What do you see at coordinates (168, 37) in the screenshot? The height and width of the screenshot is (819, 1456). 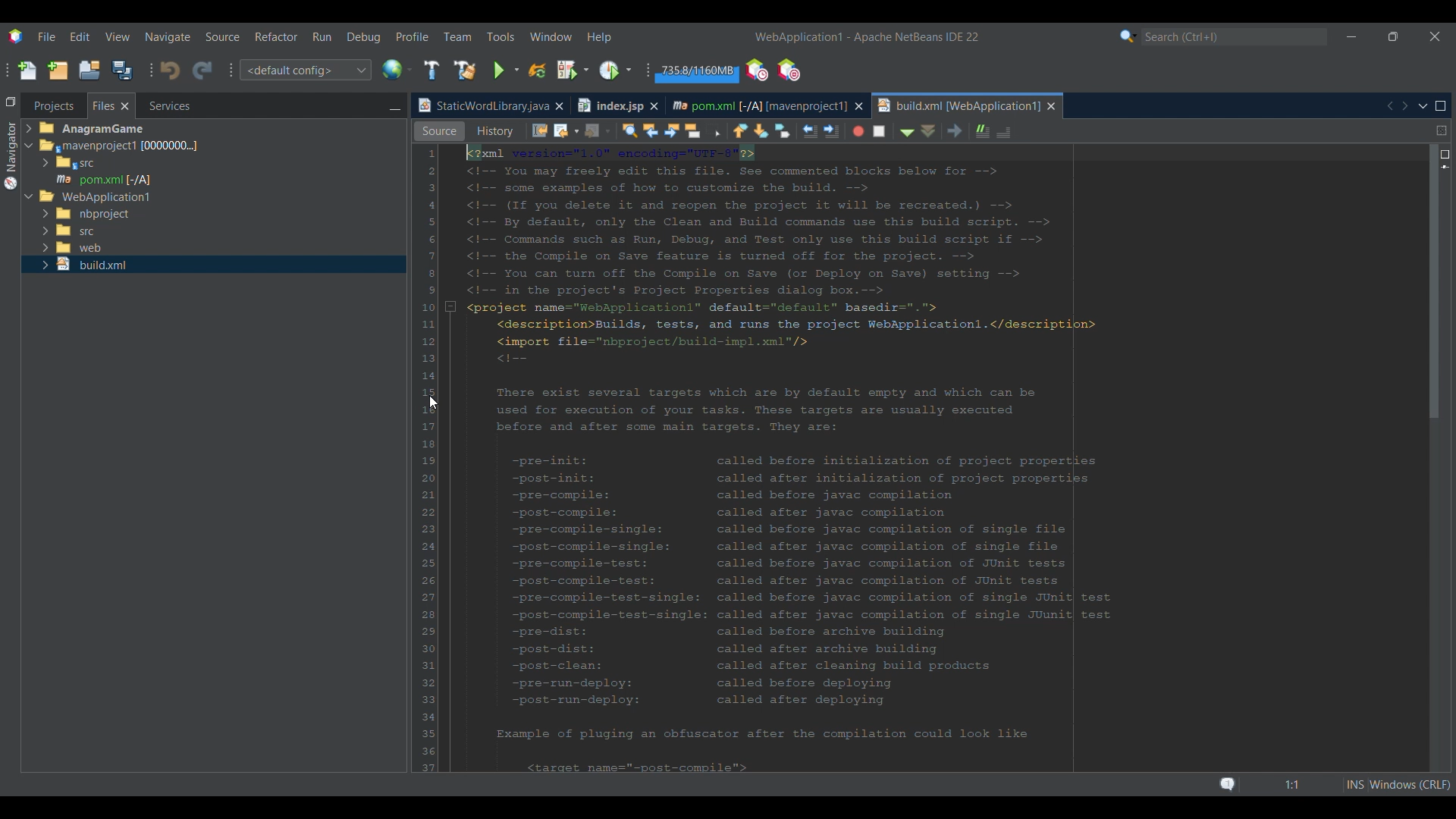 I see `Navigate menu` at bounding box center [168, 37].